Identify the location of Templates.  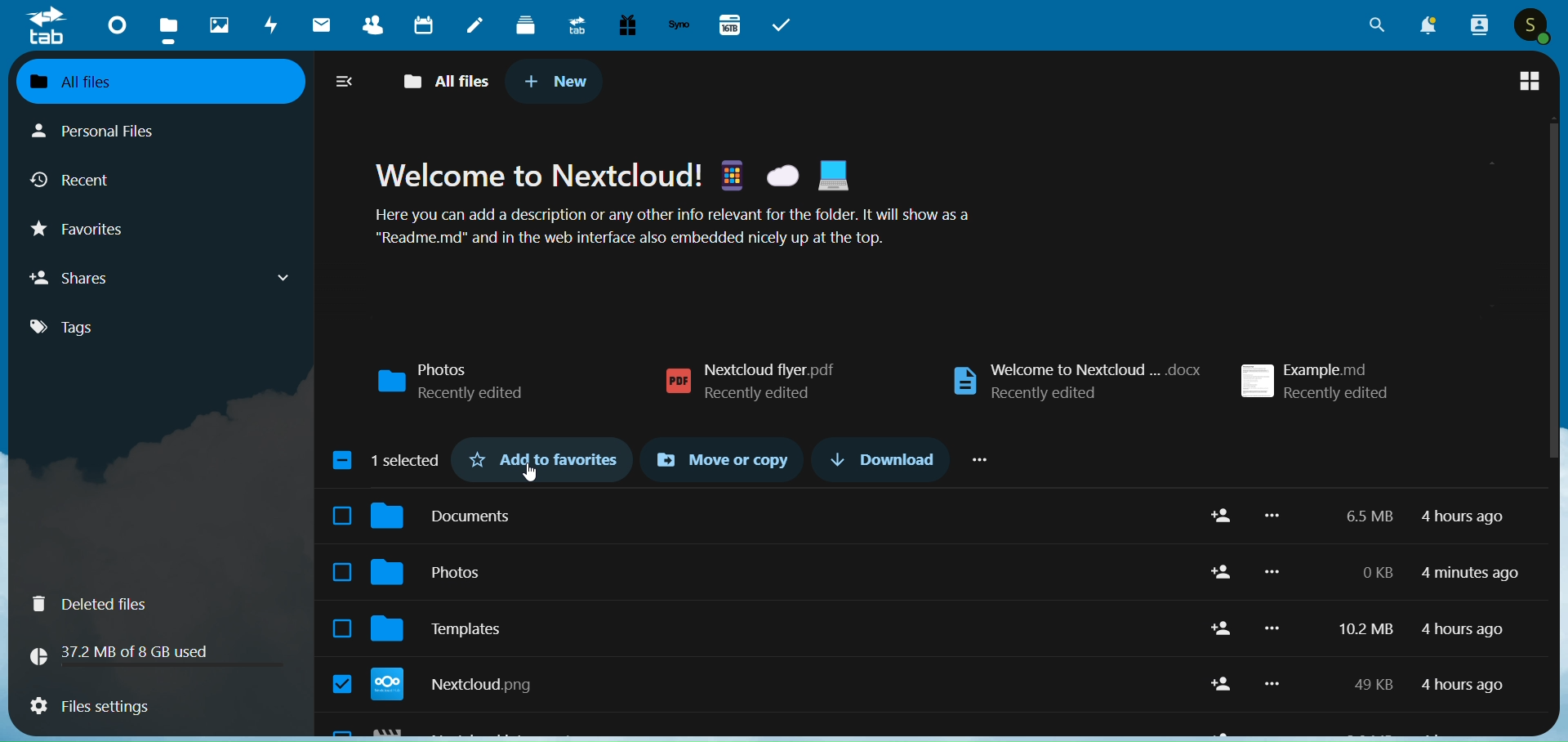
(780, 628).